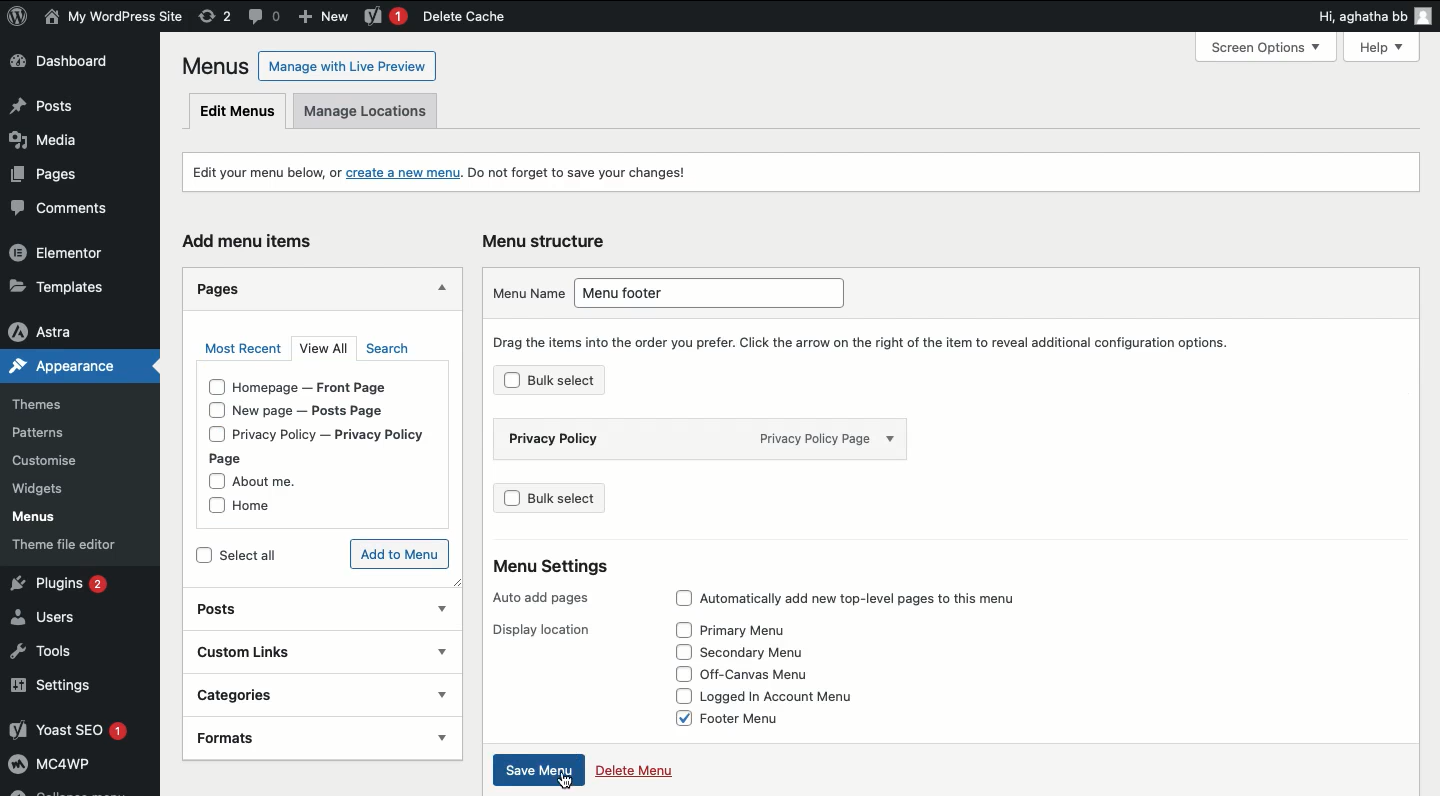 The height and width of the screenshot is (796, 1440). Describe the element at coordinates (538, 628) in the screenshot. I see `Display location` at that location.